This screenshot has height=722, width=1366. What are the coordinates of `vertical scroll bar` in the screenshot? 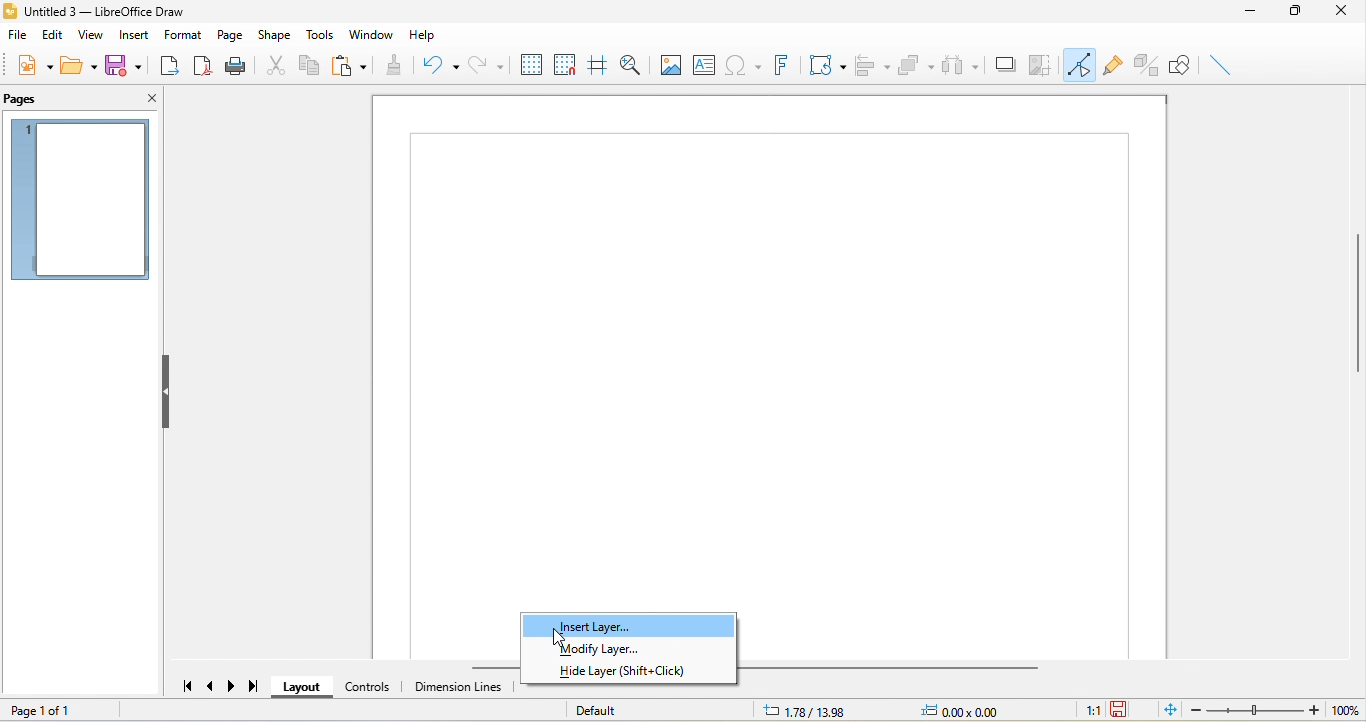 It's located at (1353, 302).